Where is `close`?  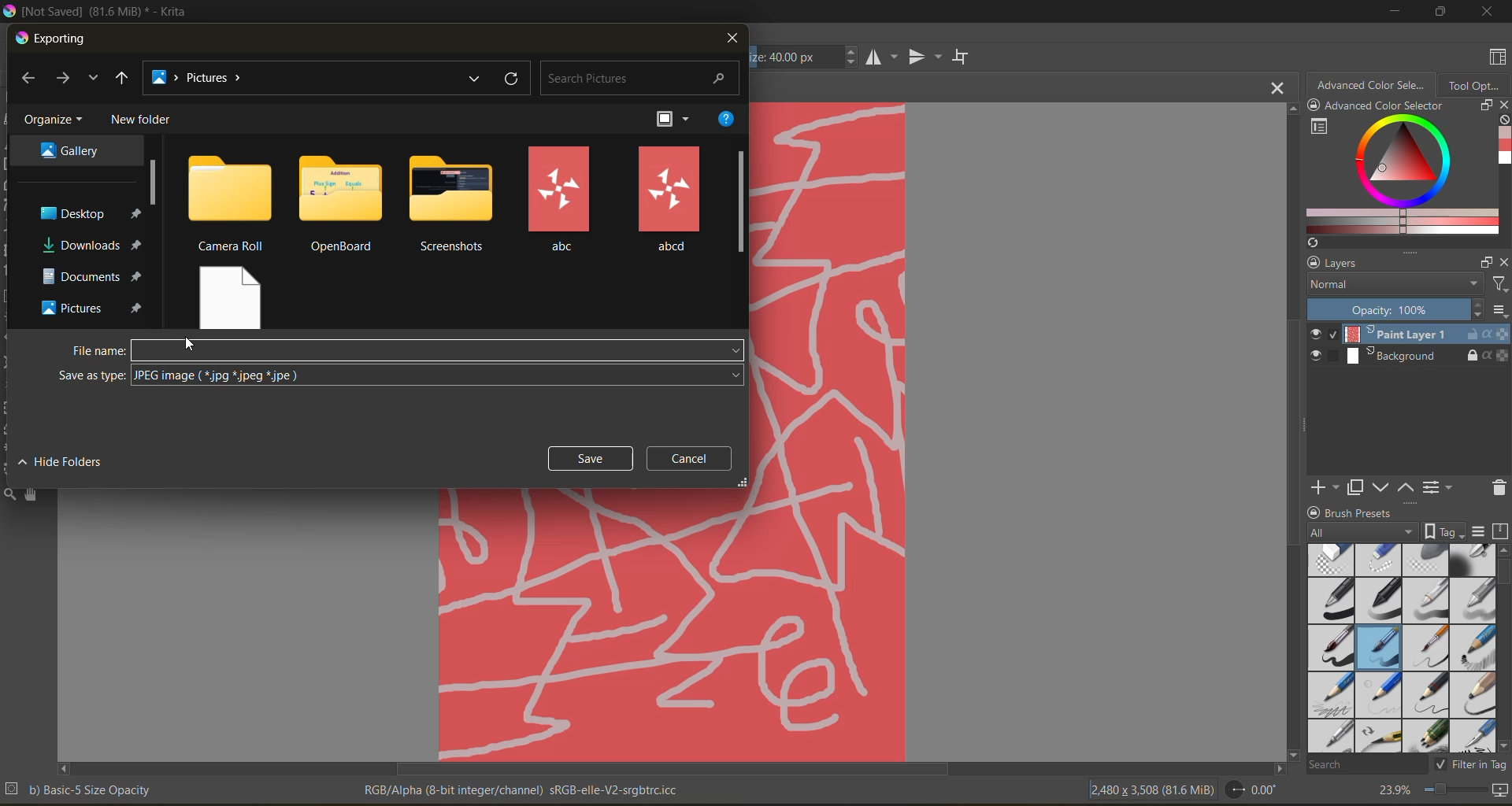
close is located at coordinates (1503, 106).